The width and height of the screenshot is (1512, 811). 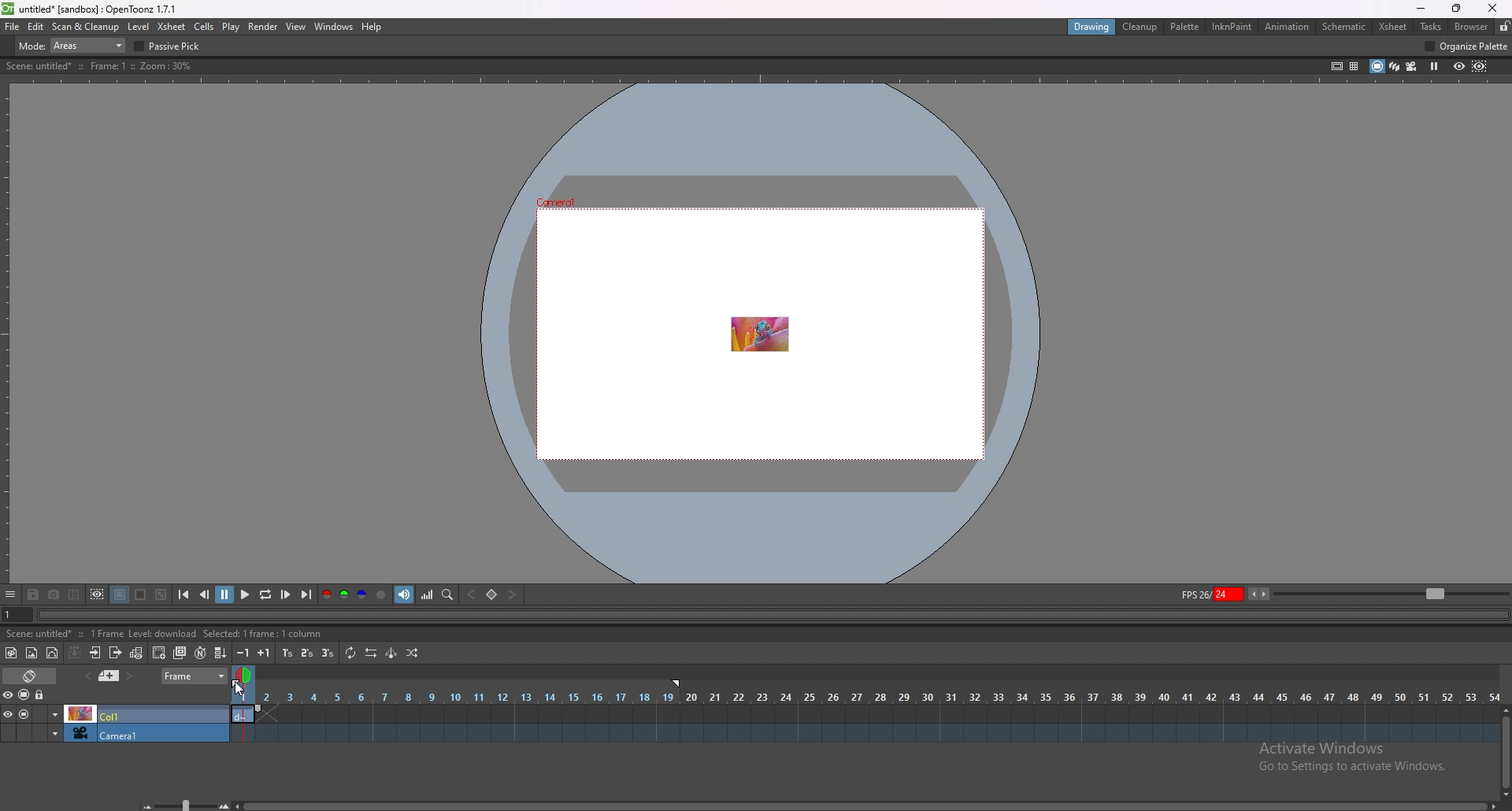 I want to click on animation area, so click(x=758, y=332).